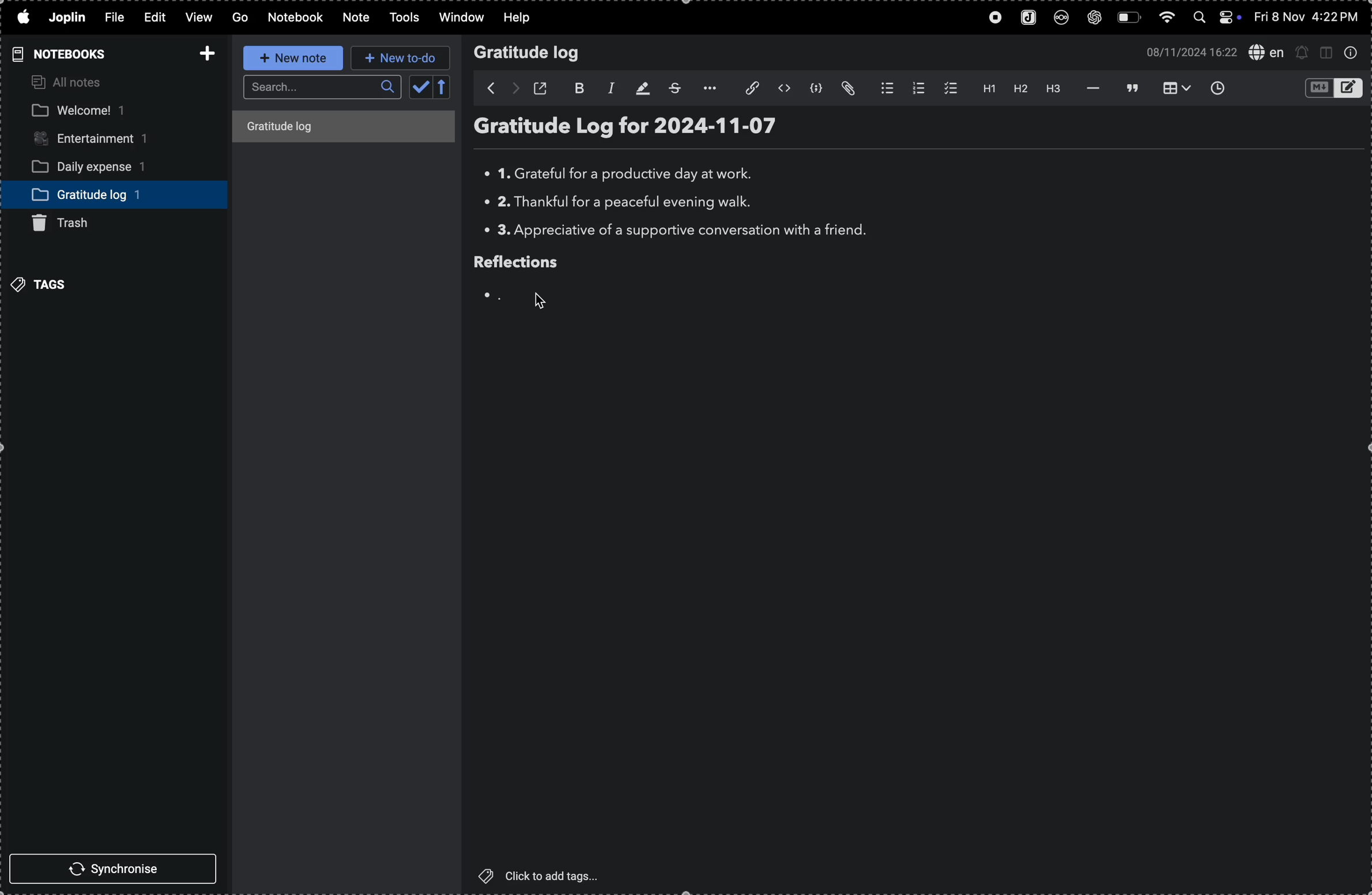 The image size is (1372, 895). Describe the element at coordinates (198, 18) in the screenshot. I see `view` at that location.